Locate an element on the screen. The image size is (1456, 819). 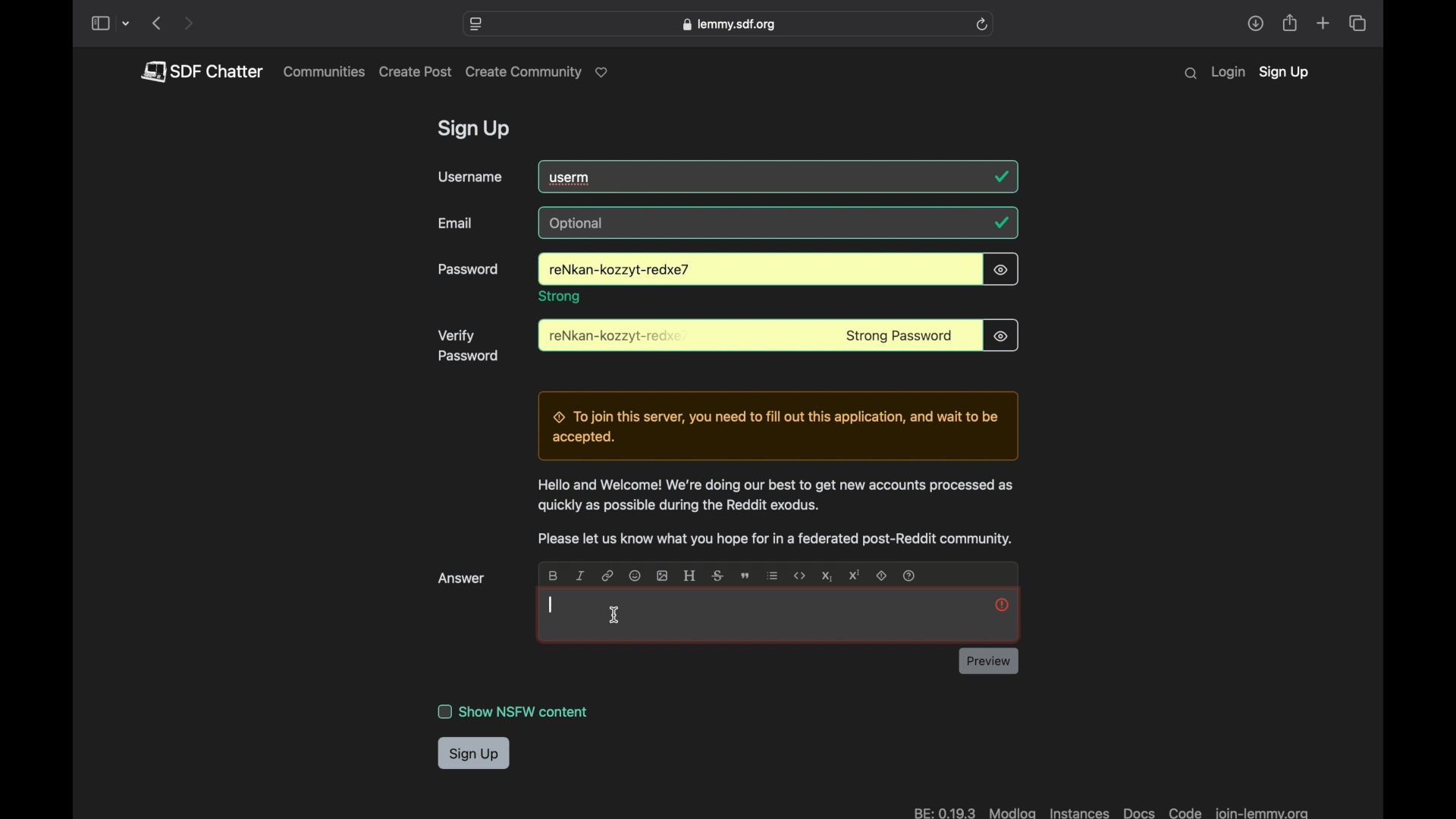
italic is located at coordinates (581, 576).